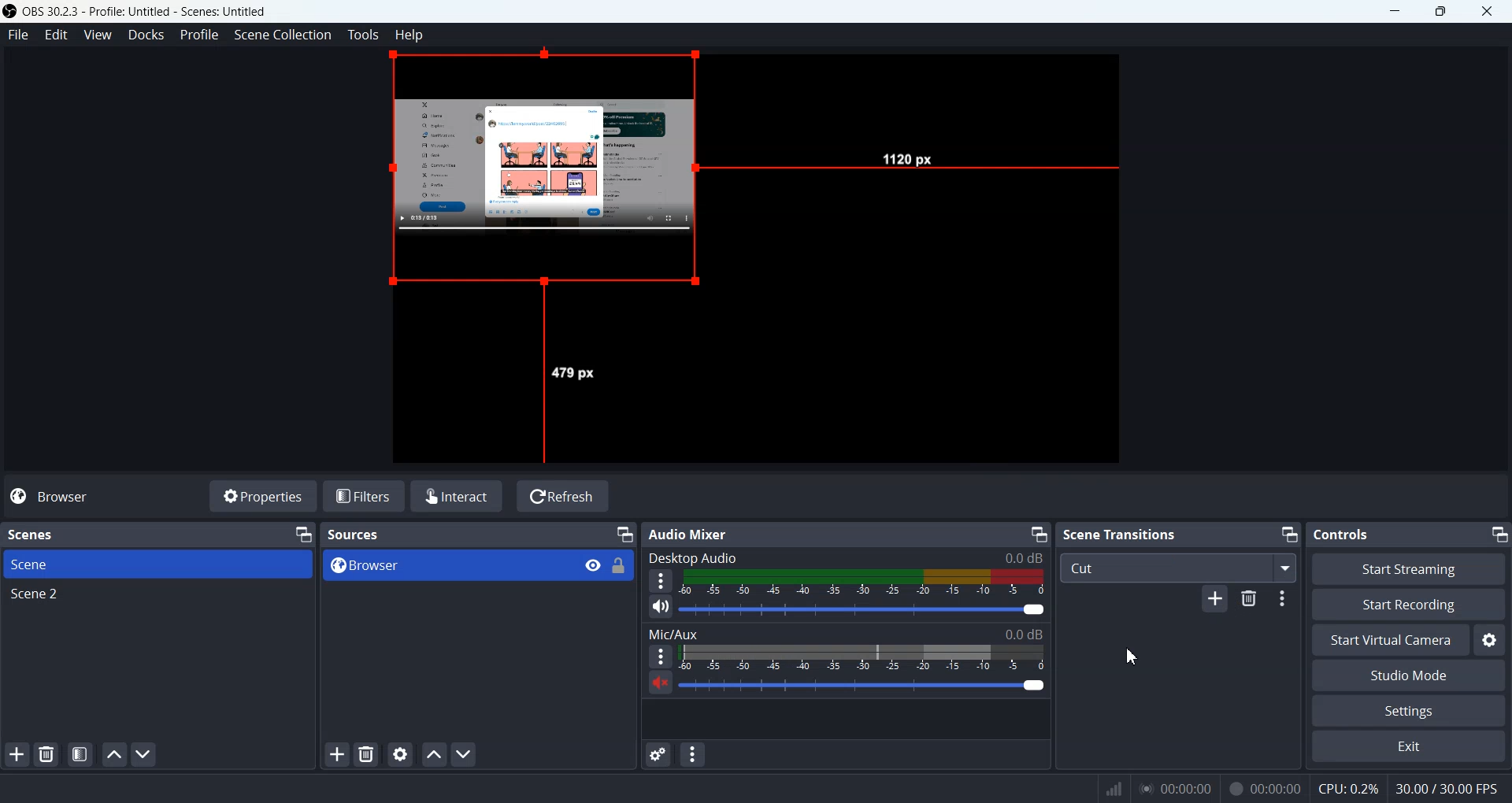  I want to click on , so click(1114, 788).